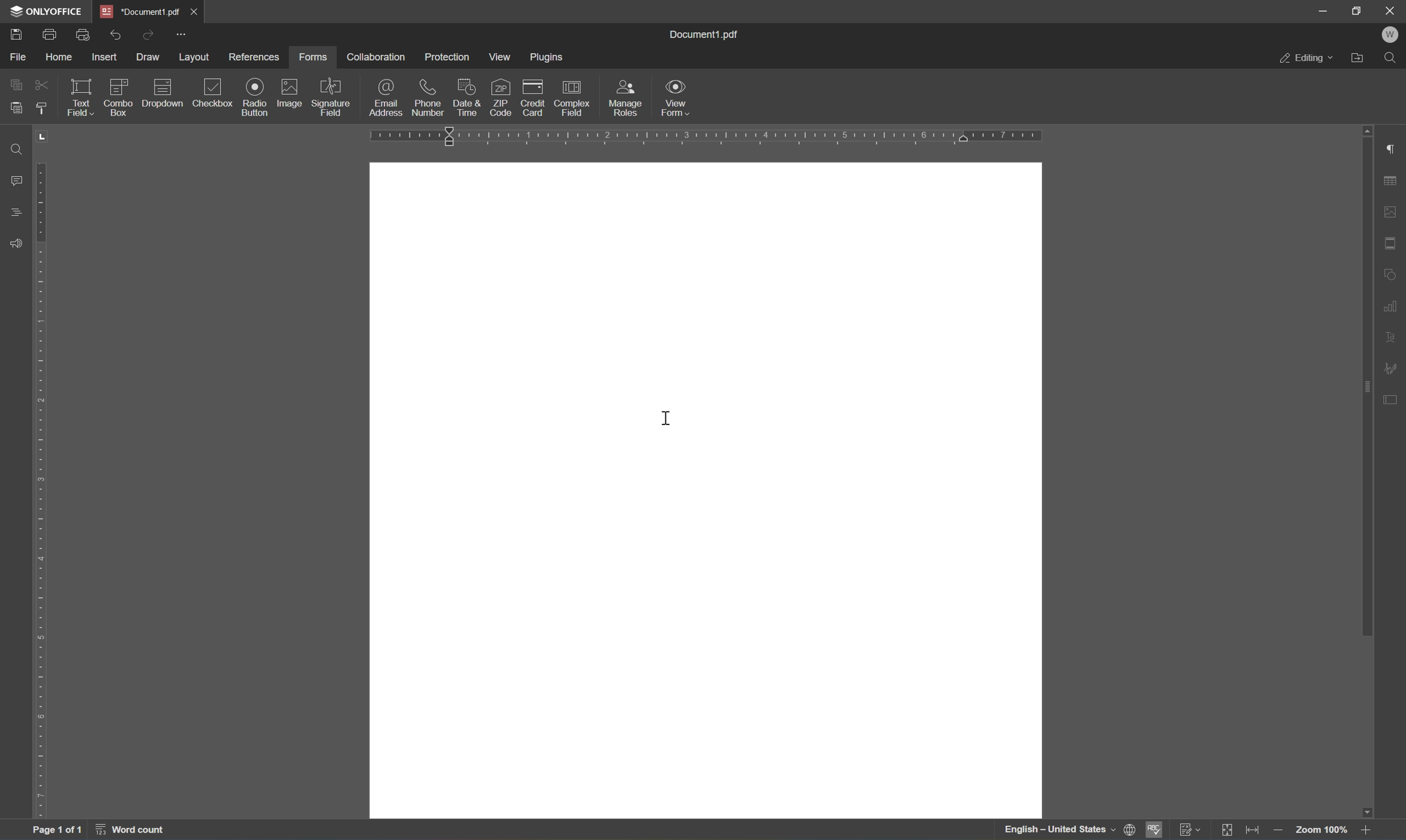 Image resolution: width=1406 pixels, height=840 pixels. I want to click on track changes, so click(1189, 828).